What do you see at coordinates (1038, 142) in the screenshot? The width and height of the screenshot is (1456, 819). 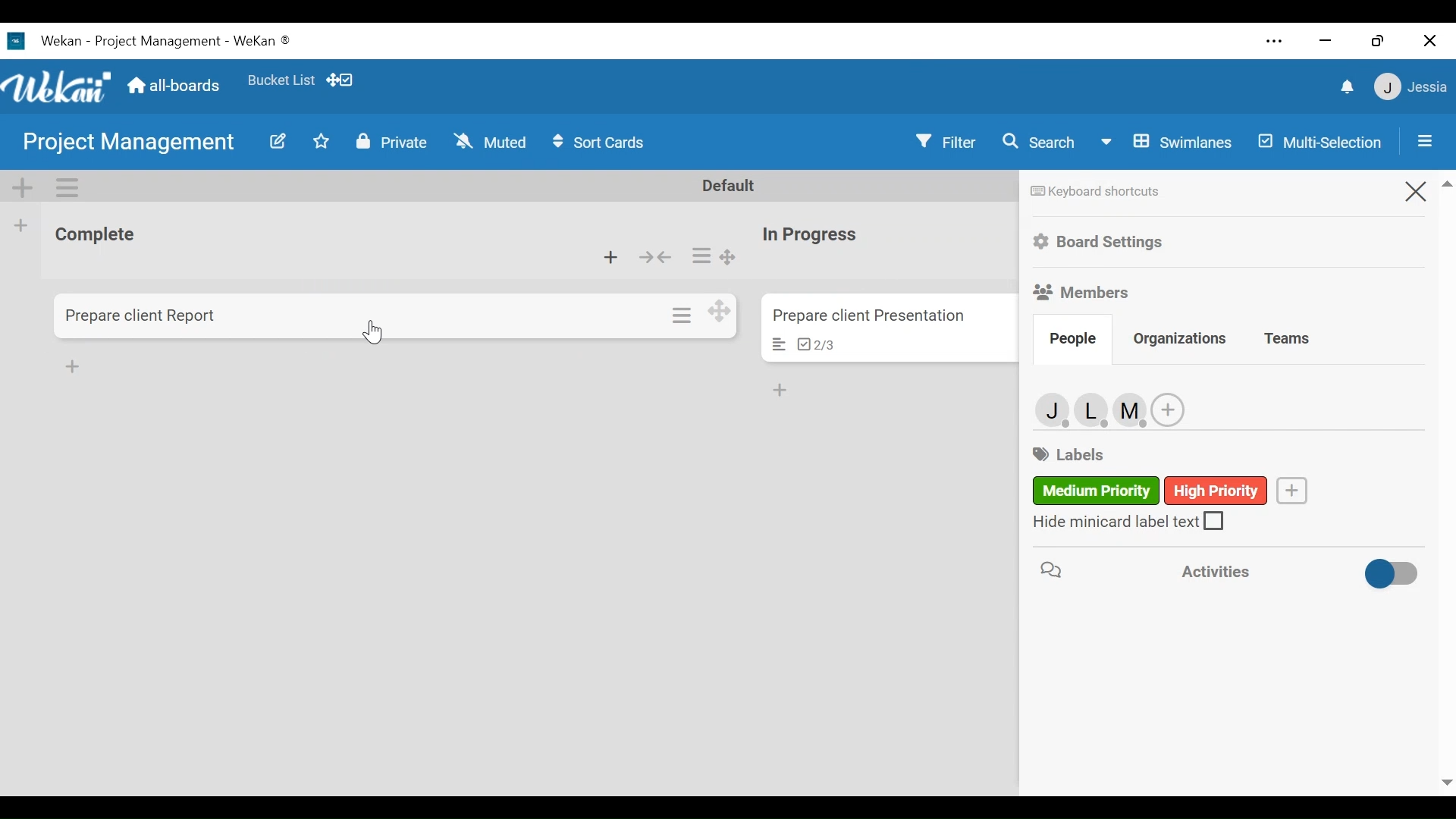 I see `Search` at bounding box center [1038, 142].